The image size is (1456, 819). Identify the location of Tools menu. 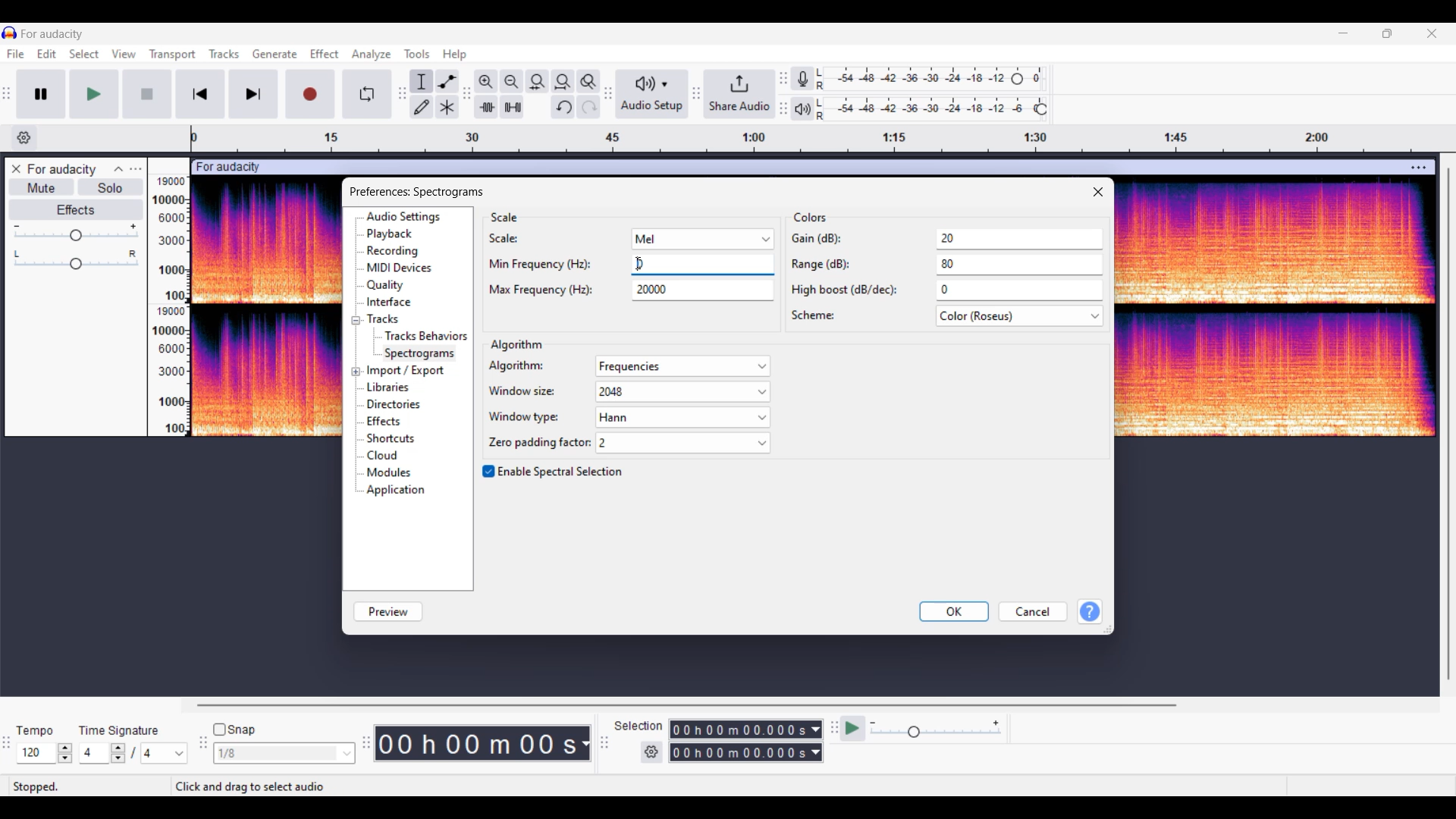
(417, 54).